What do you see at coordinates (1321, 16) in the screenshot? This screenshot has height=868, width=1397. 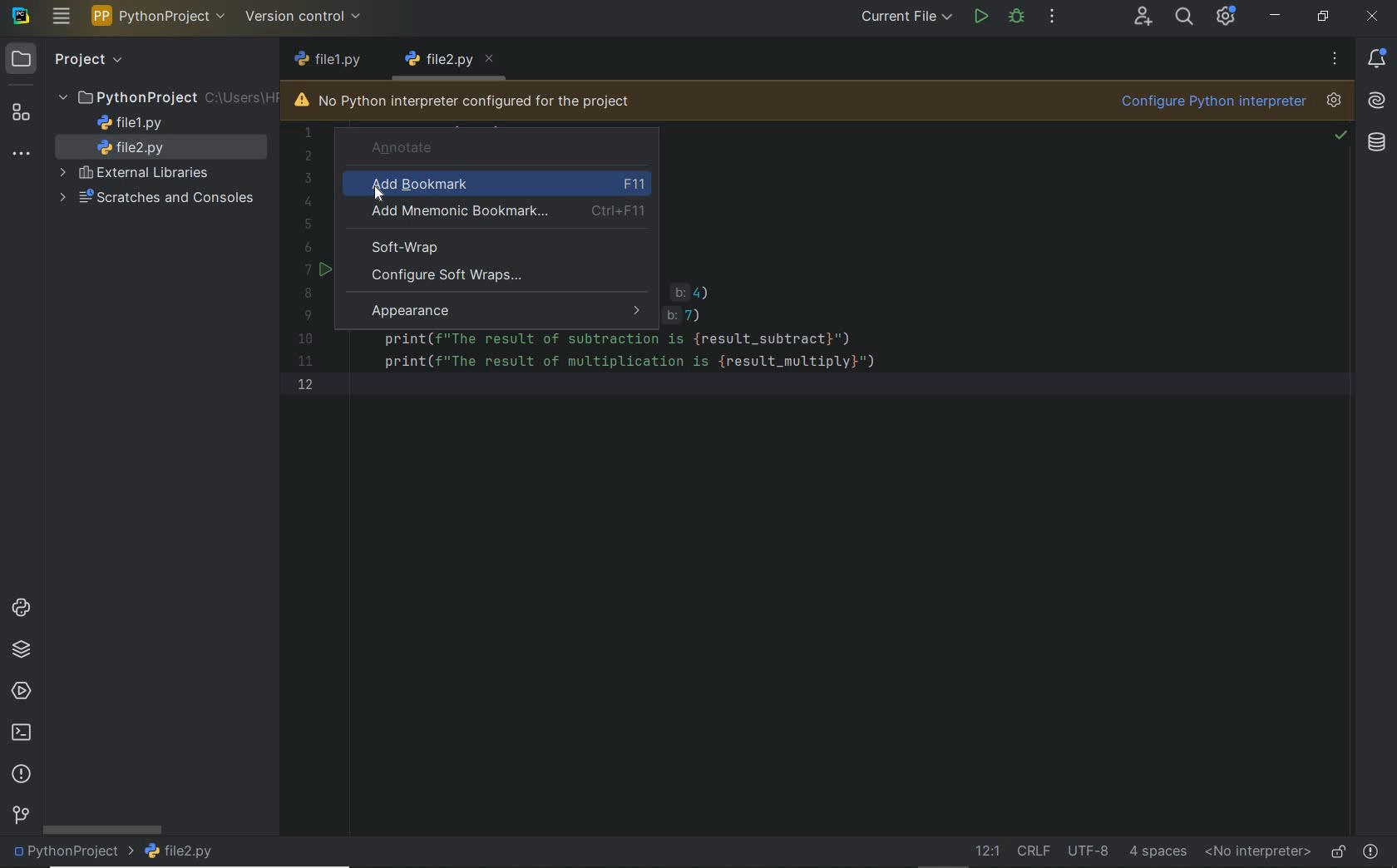 I see `restore down` at bounding box center [1321, 16].